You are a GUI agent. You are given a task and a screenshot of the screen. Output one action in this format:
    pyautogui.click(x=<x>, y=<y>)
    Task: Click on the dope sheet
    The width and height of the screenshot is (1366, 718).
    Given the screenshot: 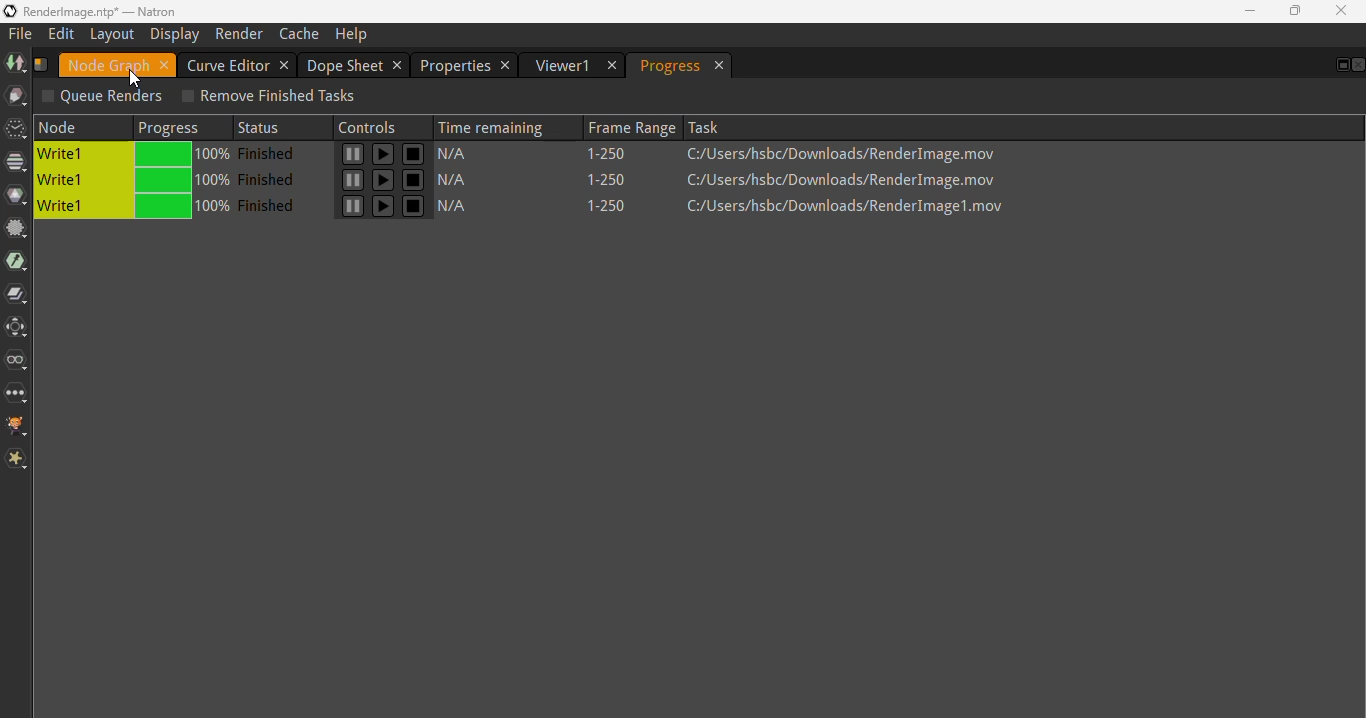 What is the action you would take?
    pyautogui.click(x=346, y=65)
    